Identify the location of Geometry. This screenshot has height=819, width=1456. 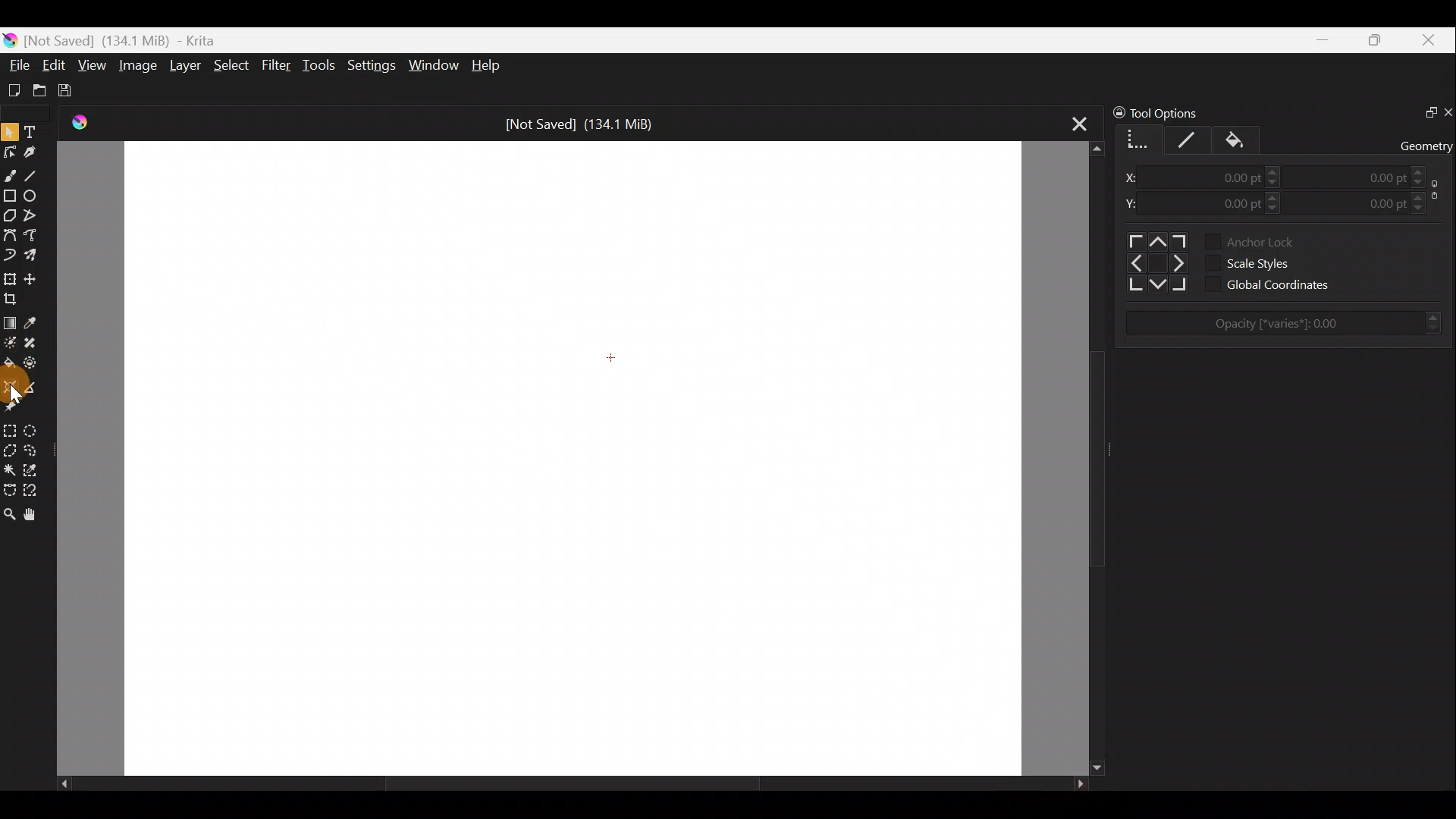
(1425, 142).